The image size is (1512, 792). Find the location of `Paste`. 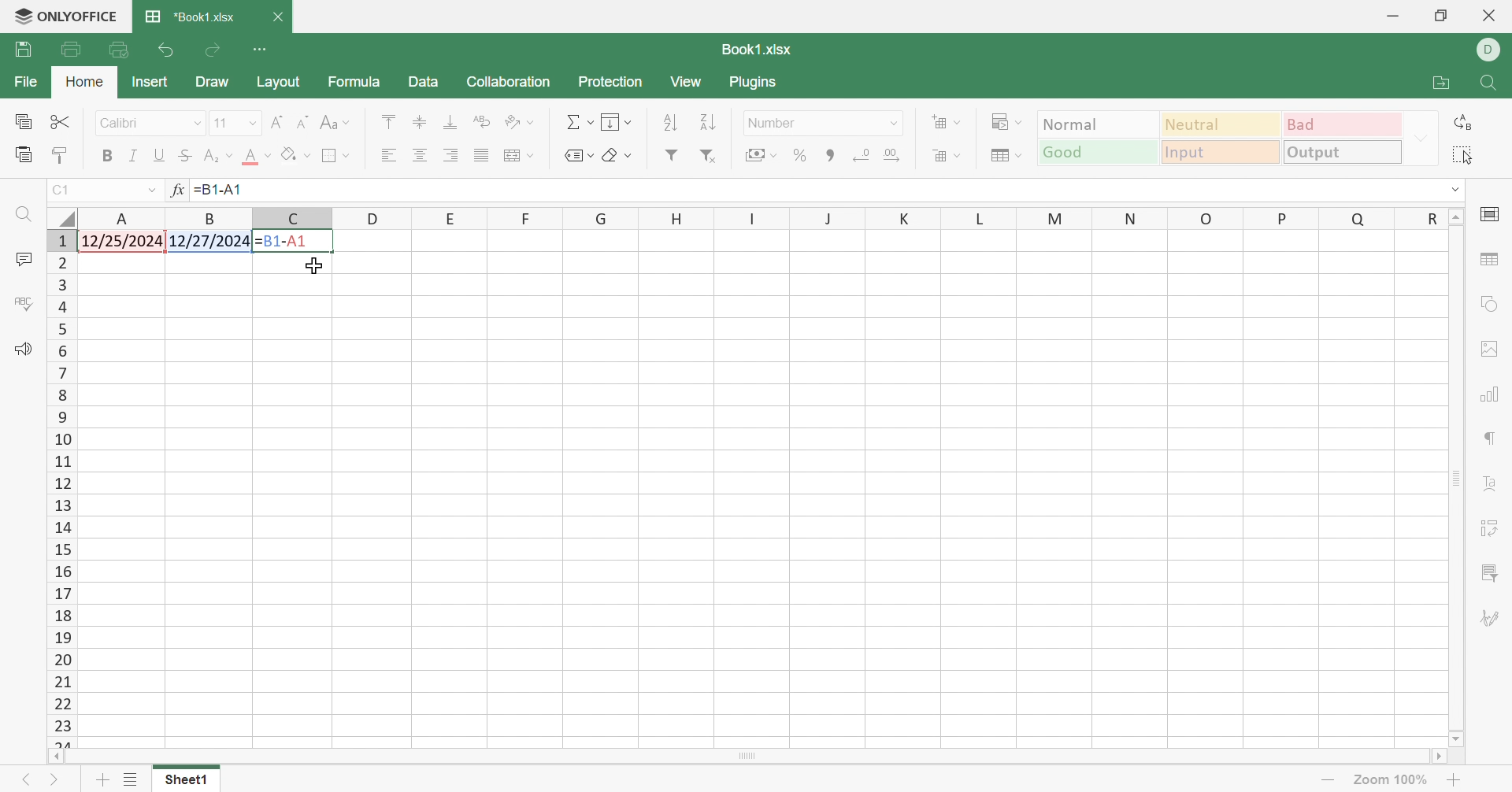

Paste is located at coordinates (25, 157).